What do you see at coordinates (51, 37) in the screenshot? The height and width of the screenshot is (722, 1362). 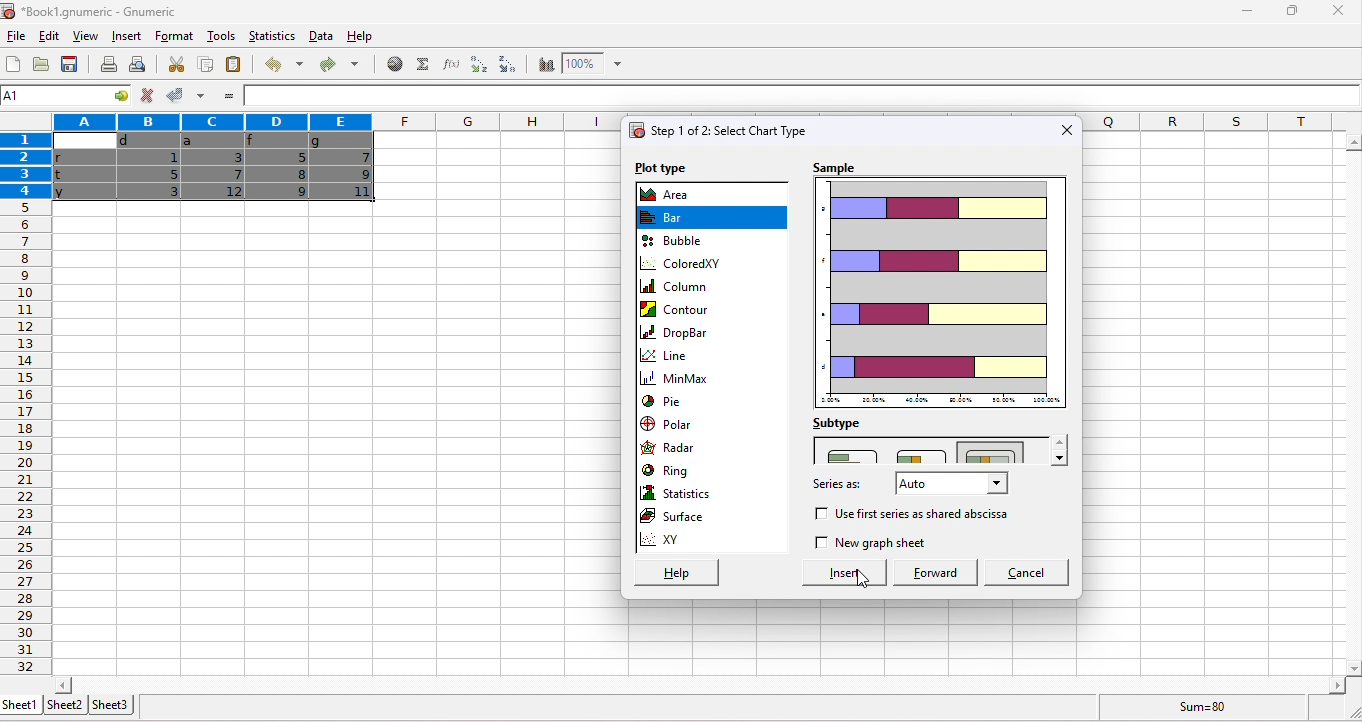 I see `edit` at bounding box center [51, 37].